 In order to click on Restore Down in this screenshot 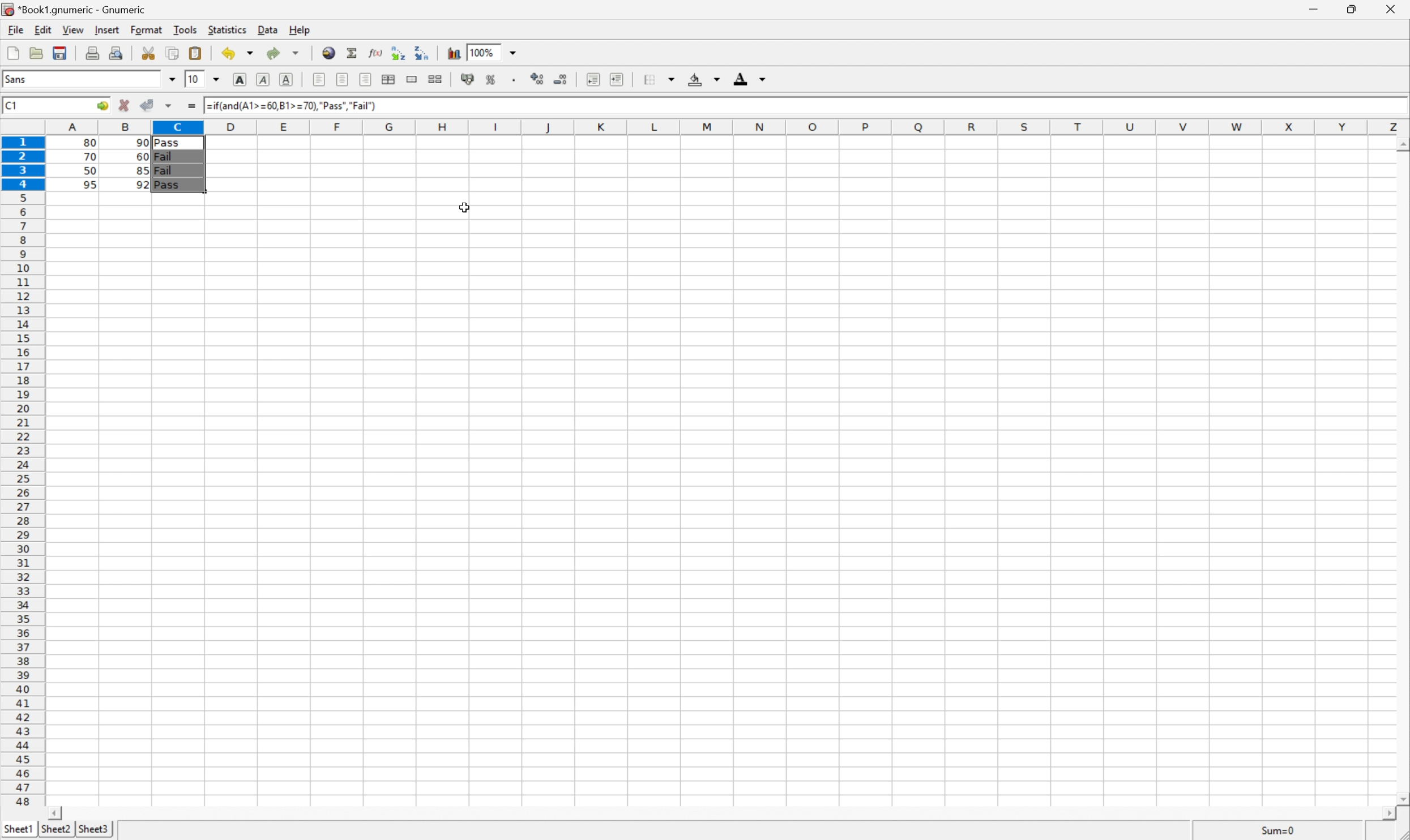, I will do `click(1353, 7)`.